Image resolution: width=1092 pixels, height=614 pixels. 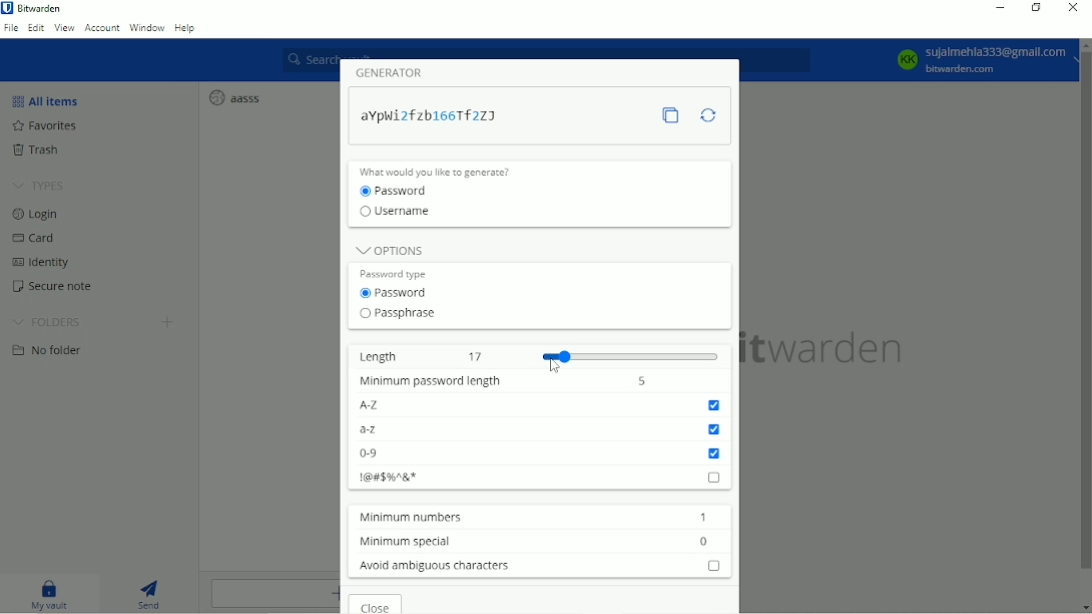 I want to click on aasss, so click(x=234, y=97).